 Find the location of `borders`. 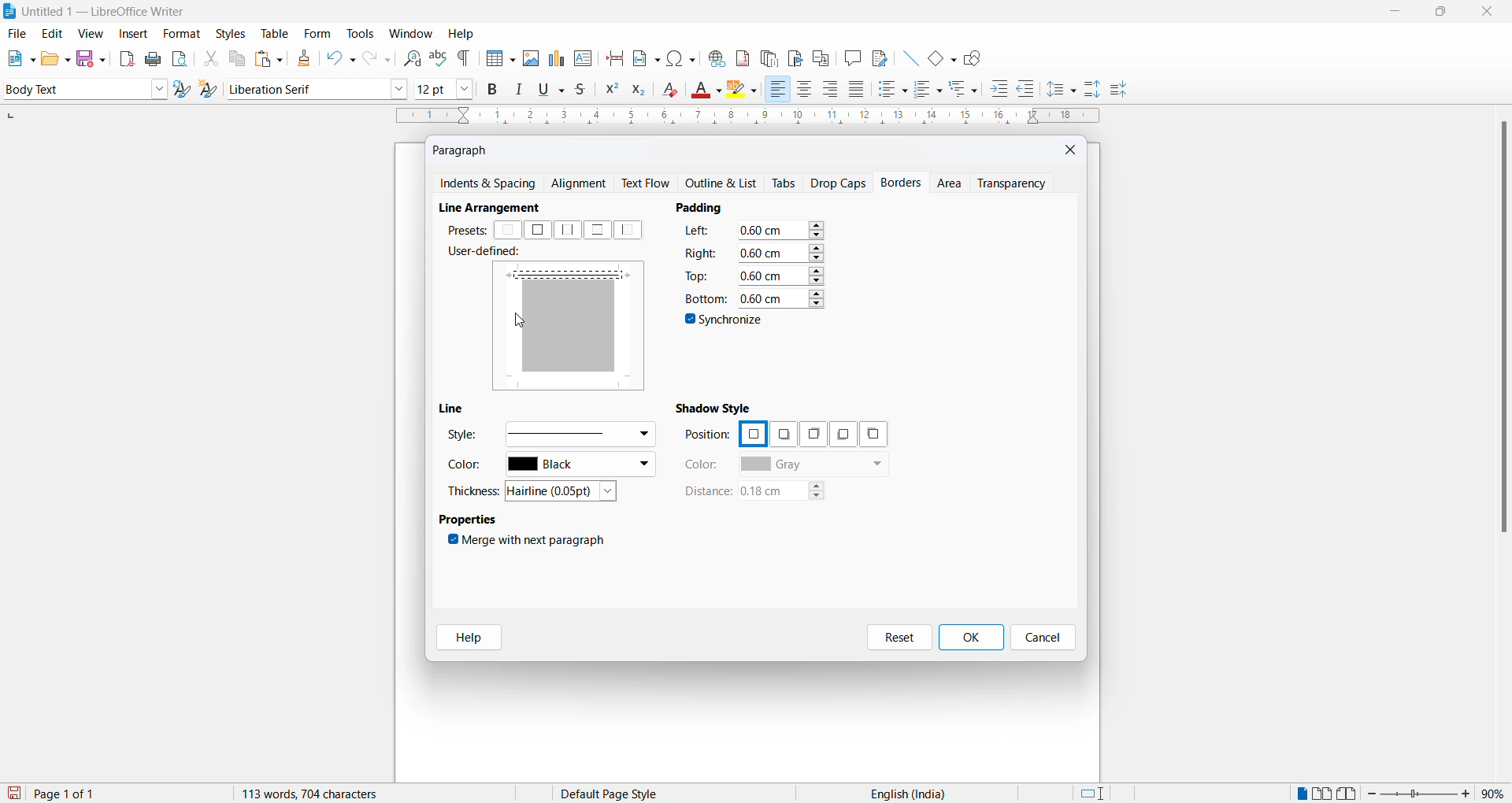

borders is located at coordinates (903, 183).